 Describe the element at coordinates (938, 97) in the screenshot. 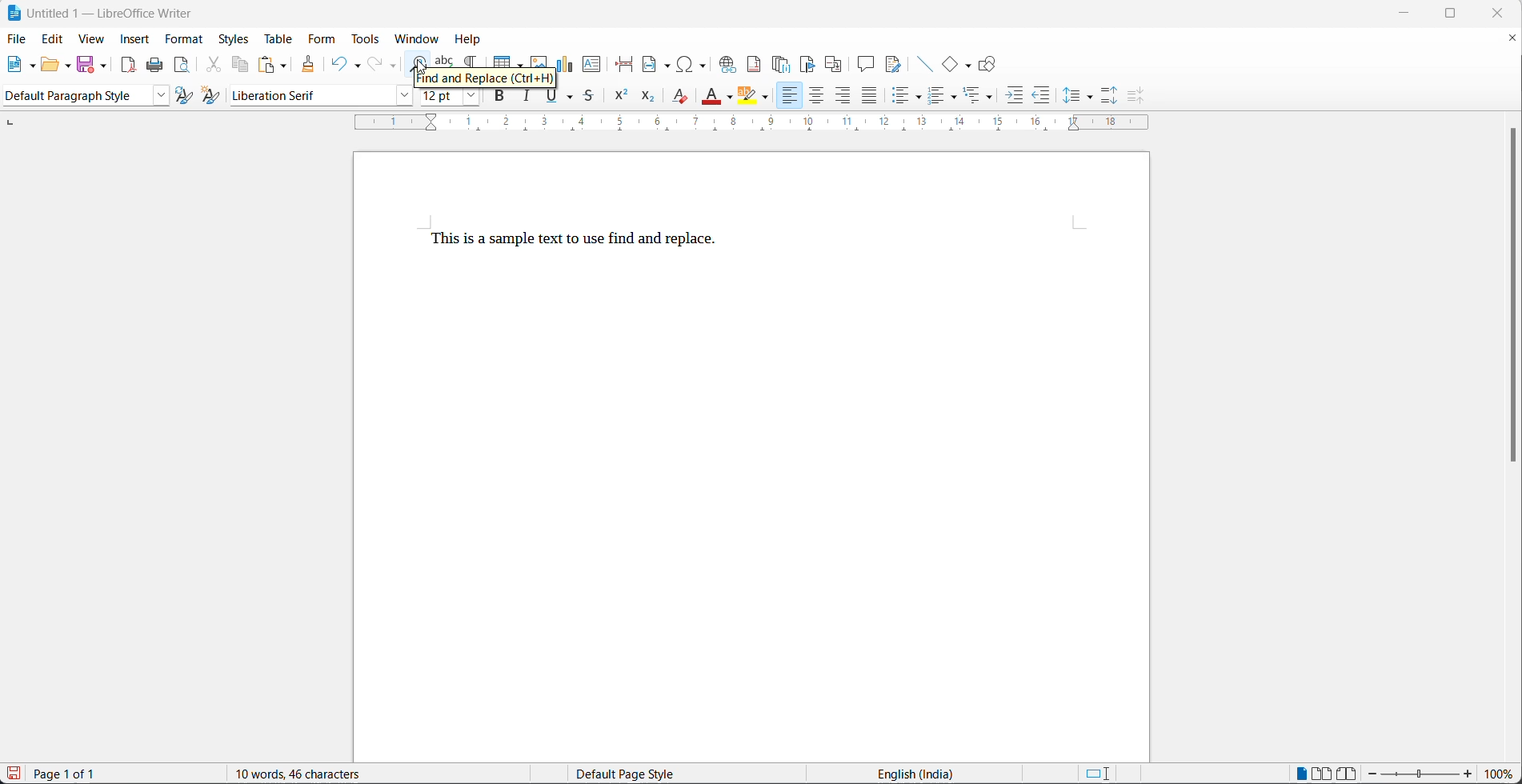

I see `toggle ordered list` at that location.